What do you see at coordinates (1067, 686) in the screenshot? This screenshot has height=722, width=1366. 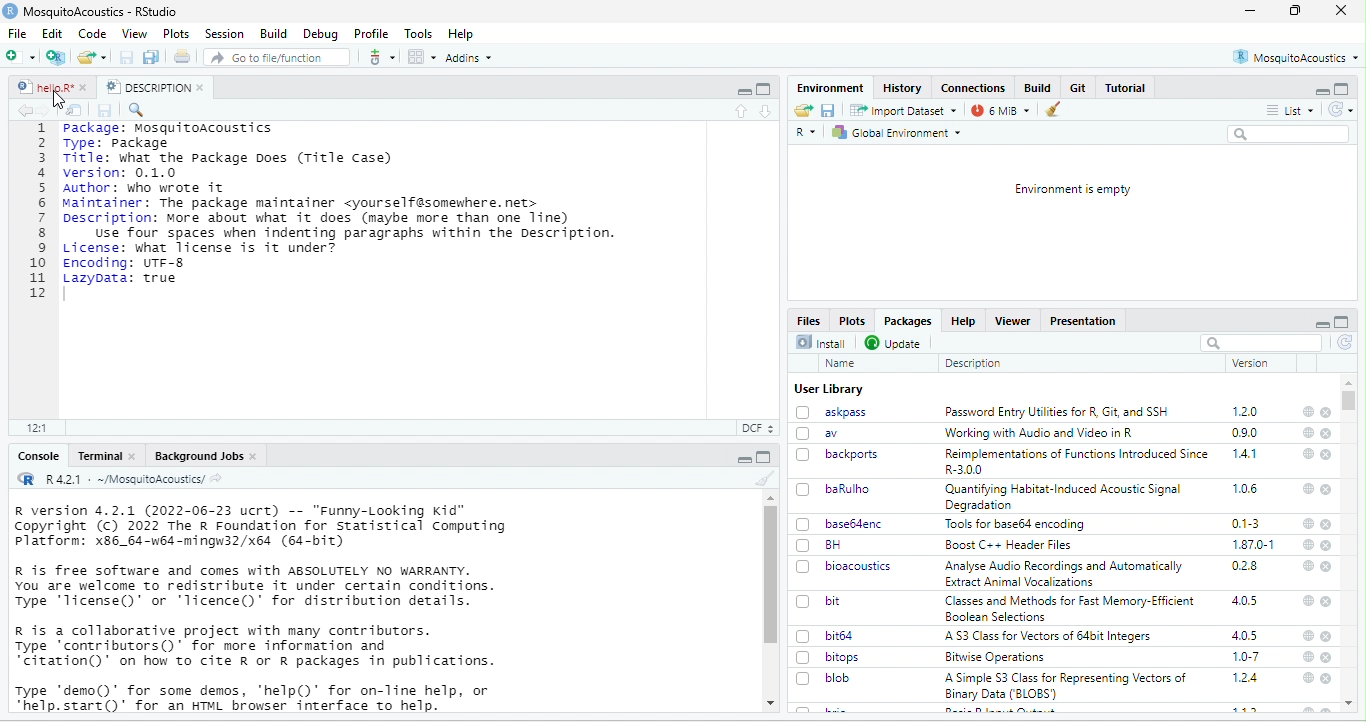 I see `A Simple S3 Class for Representing Vectors of Binary Data (‘BLOBS’)` at bounding box center [1067, 686].